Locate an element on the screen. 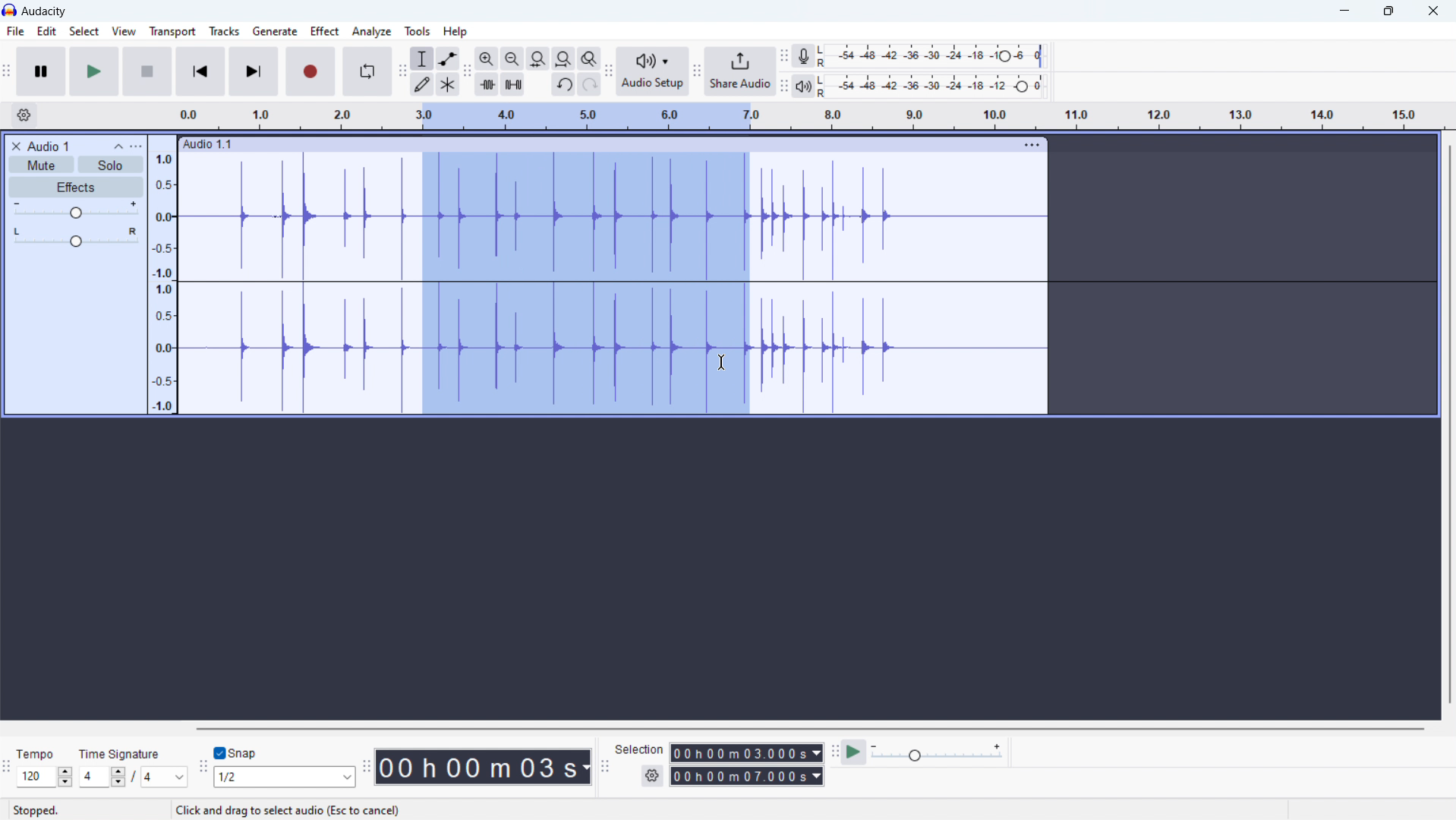 The height and width of the screenshot is (820, 1456). generate is located at coordinates (275, 31).